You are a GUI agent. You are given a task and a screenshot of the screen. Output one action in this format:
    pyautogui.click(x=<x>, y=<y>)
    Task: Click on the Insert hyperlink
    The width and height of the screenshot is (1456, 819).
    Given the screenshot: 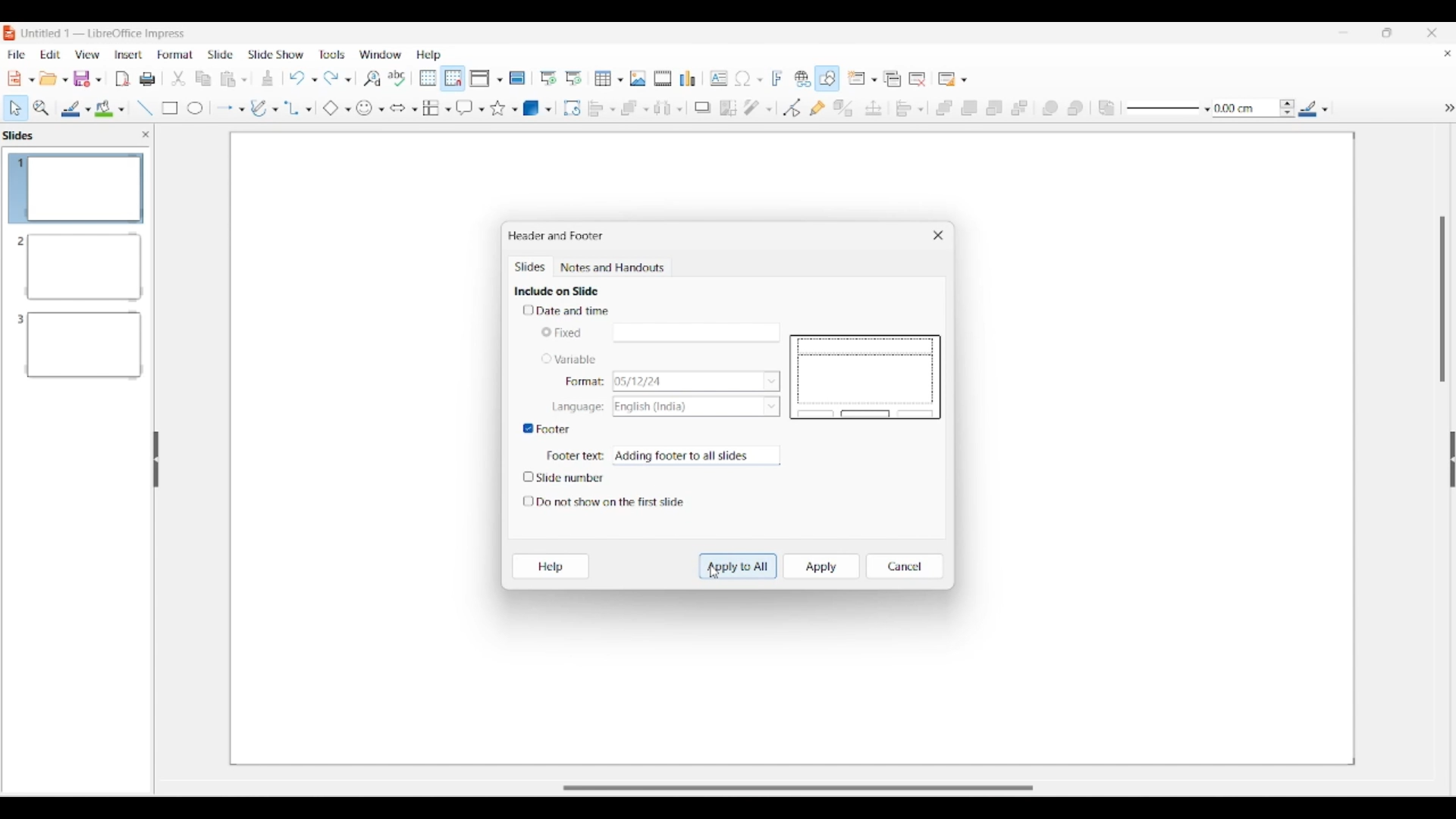 What is the action you would take?
    pyautogui.click(x=803, y=78)
    